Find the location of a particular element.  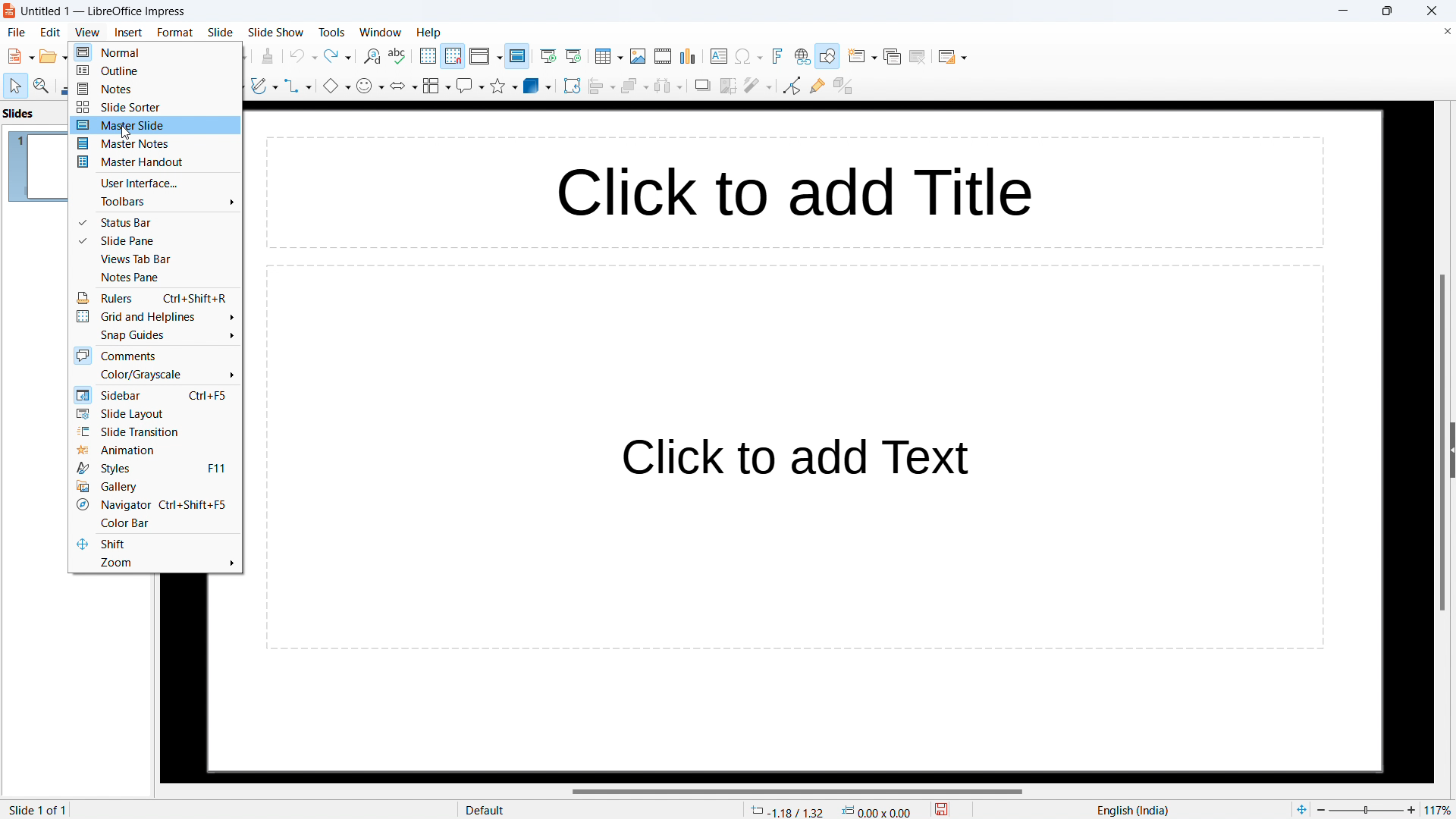

find and replace is located at coordinates (372, 57).